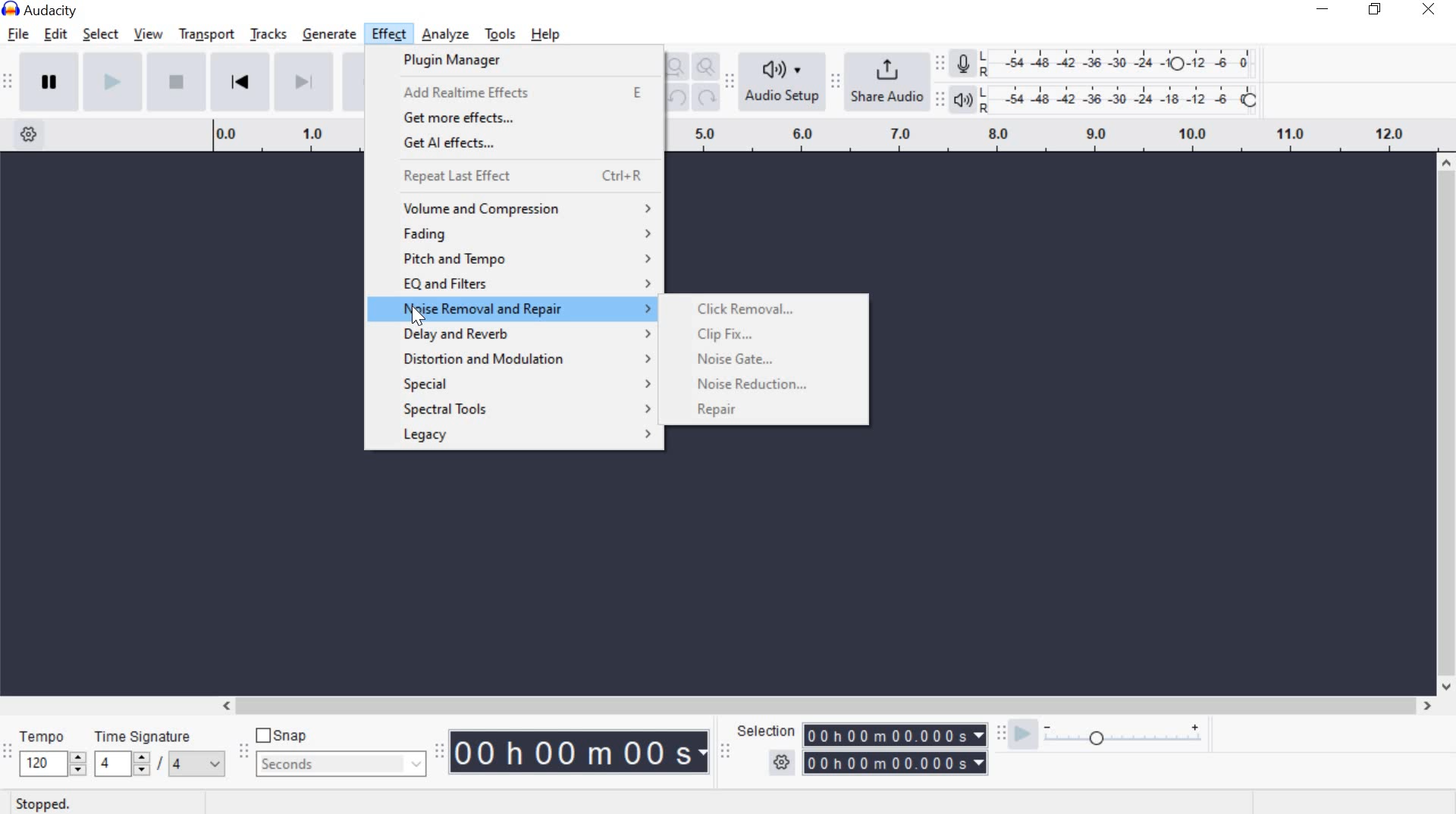 The width and height of the screenshot is (1456, 814). What do you see at coordinates (501, 33) in the screenshot?
I see `tools` at bounding box center [501, 33].